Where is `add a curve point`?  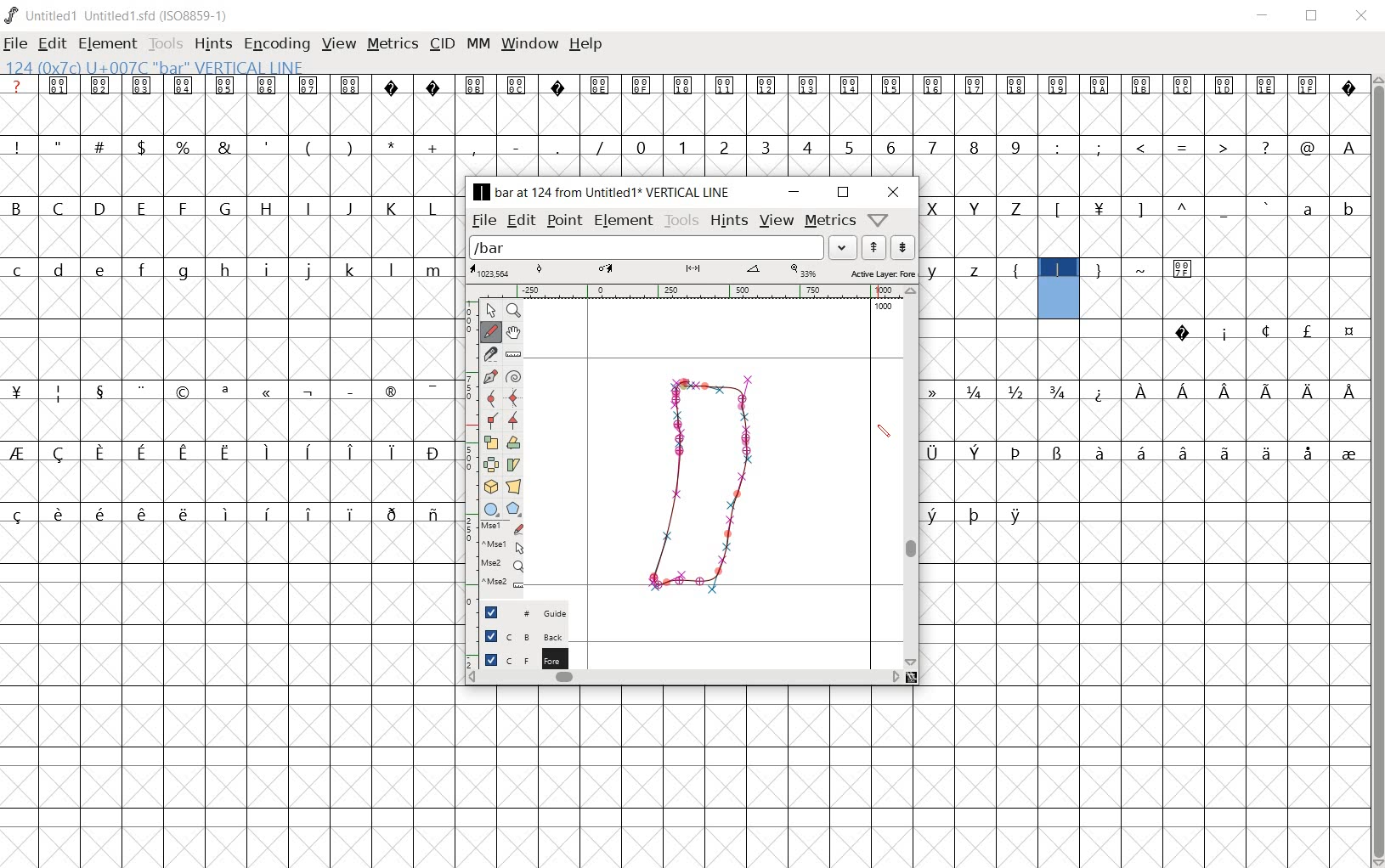
add a curve point is located at coordinates (489, 397).